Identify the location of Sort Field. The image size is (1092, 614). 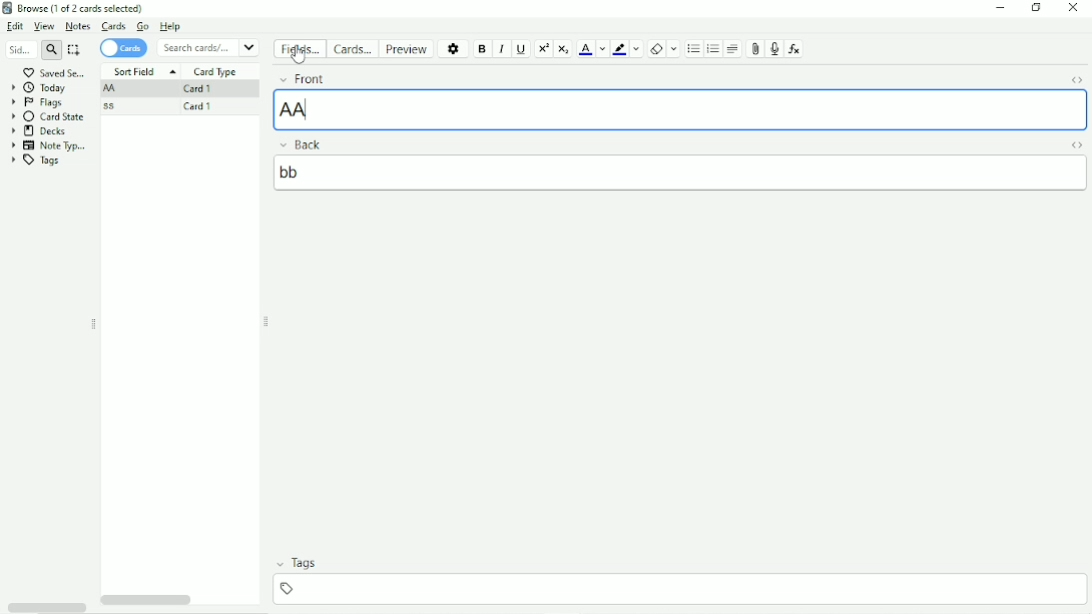
(144, 72).